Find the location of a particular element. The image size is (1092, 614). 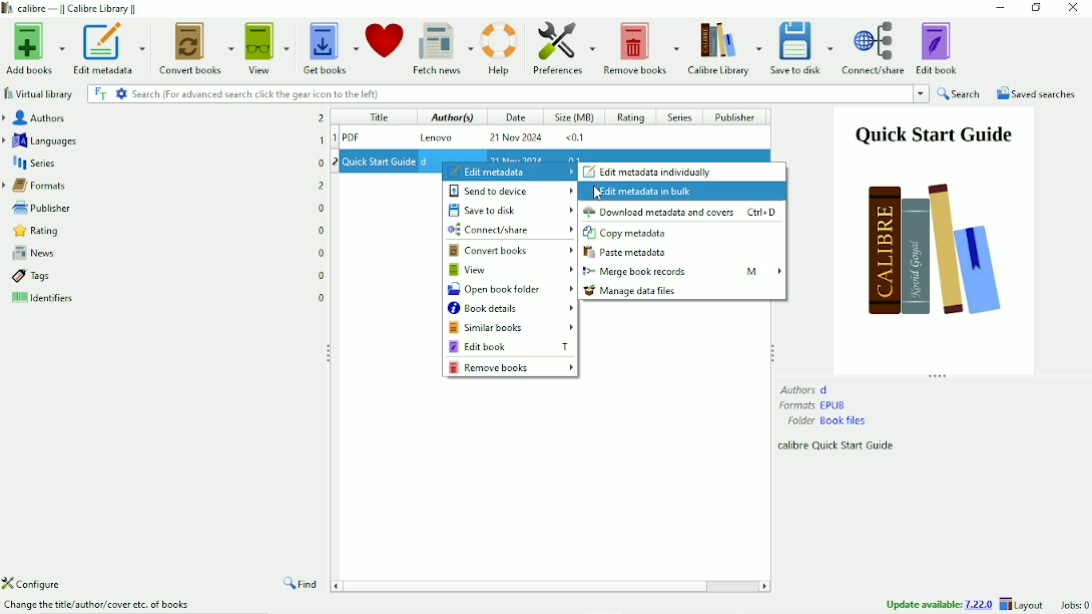

Authors is located at coordinates (162, 117).